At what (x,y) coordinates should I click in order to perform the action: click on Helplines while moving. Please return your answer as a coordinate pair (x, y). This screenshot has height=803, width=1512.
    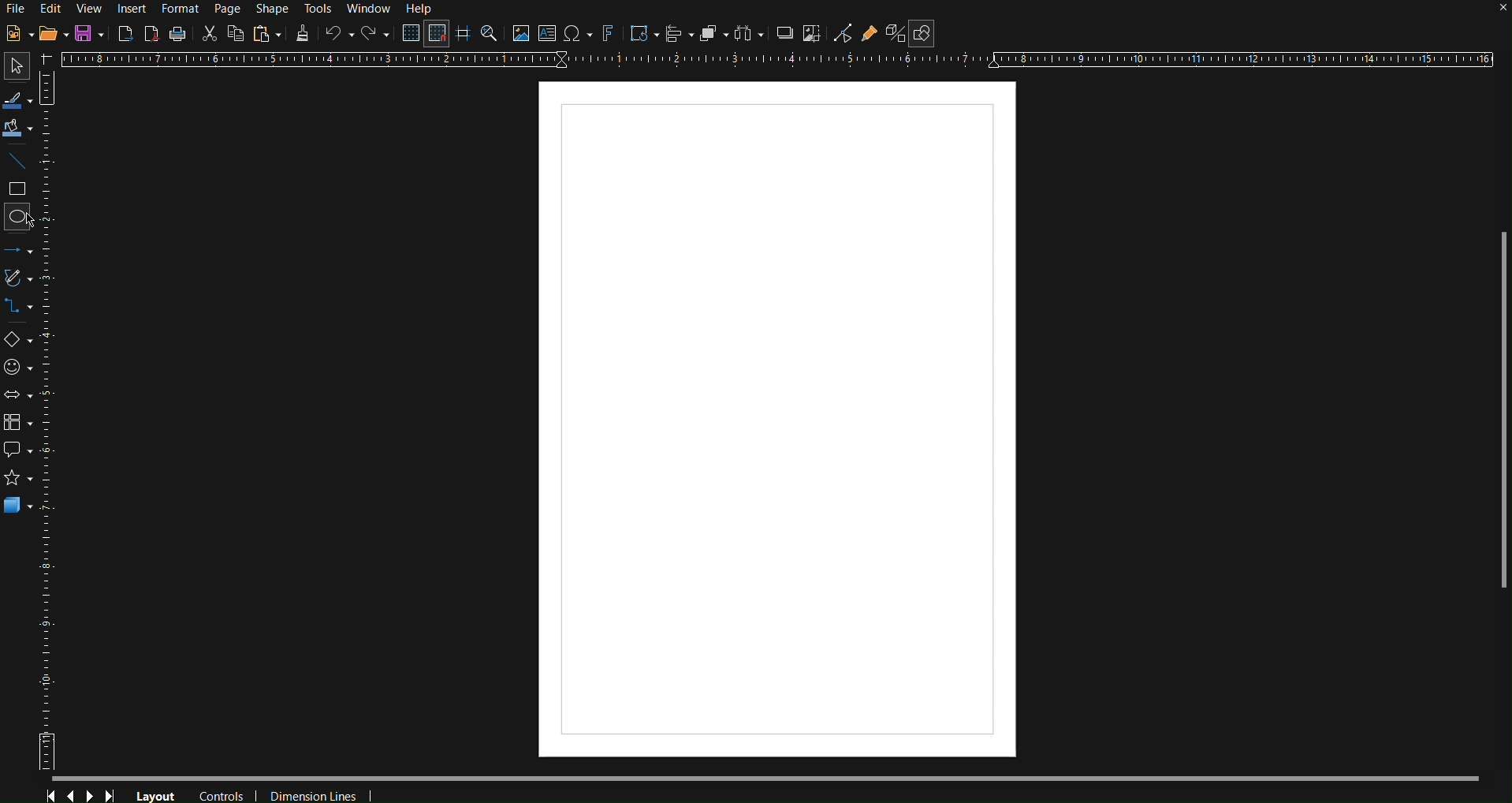
    Looking at the image, I should click on (462, 34).